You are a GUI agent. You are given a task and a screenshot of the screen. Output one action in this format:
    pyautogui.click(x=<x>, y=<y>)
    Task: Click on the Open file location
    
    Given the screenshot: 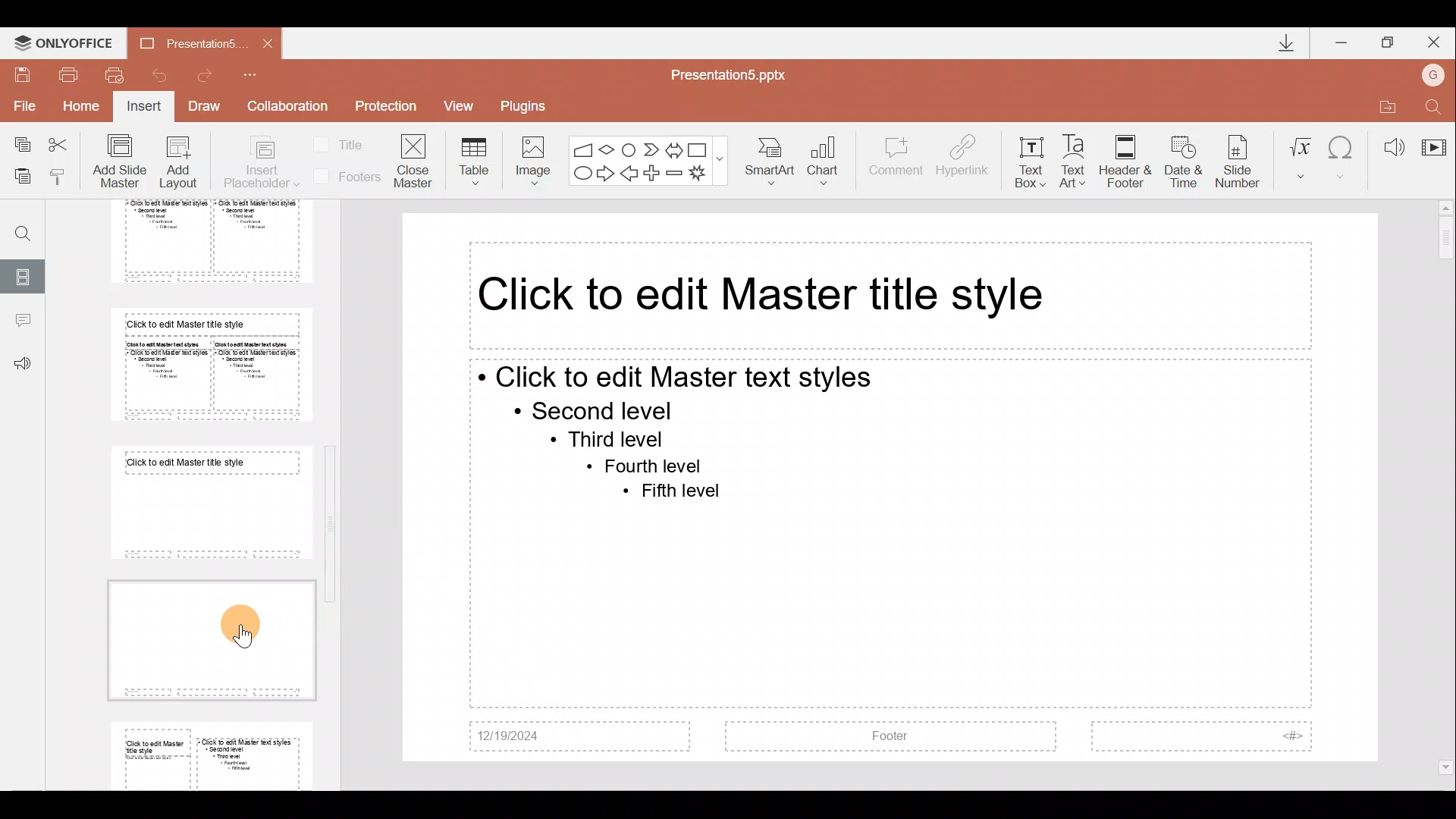 What is the action you would take?
    pyautogui.click(x=1384, y=104)
    